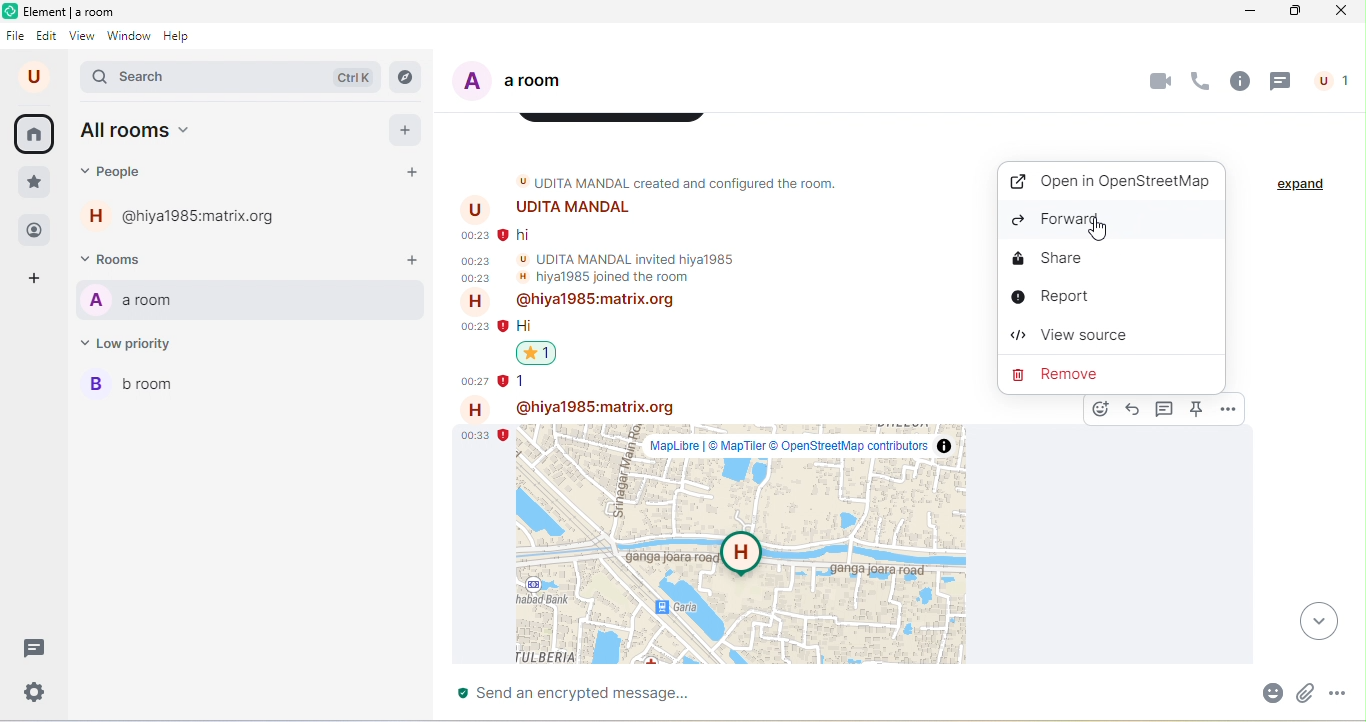 The width and height of the screenshot is (1366, 722). What do you see at coordinates (1308, 693) in the screenshot?
I see `attachment` at bounding box center [1308, 693].